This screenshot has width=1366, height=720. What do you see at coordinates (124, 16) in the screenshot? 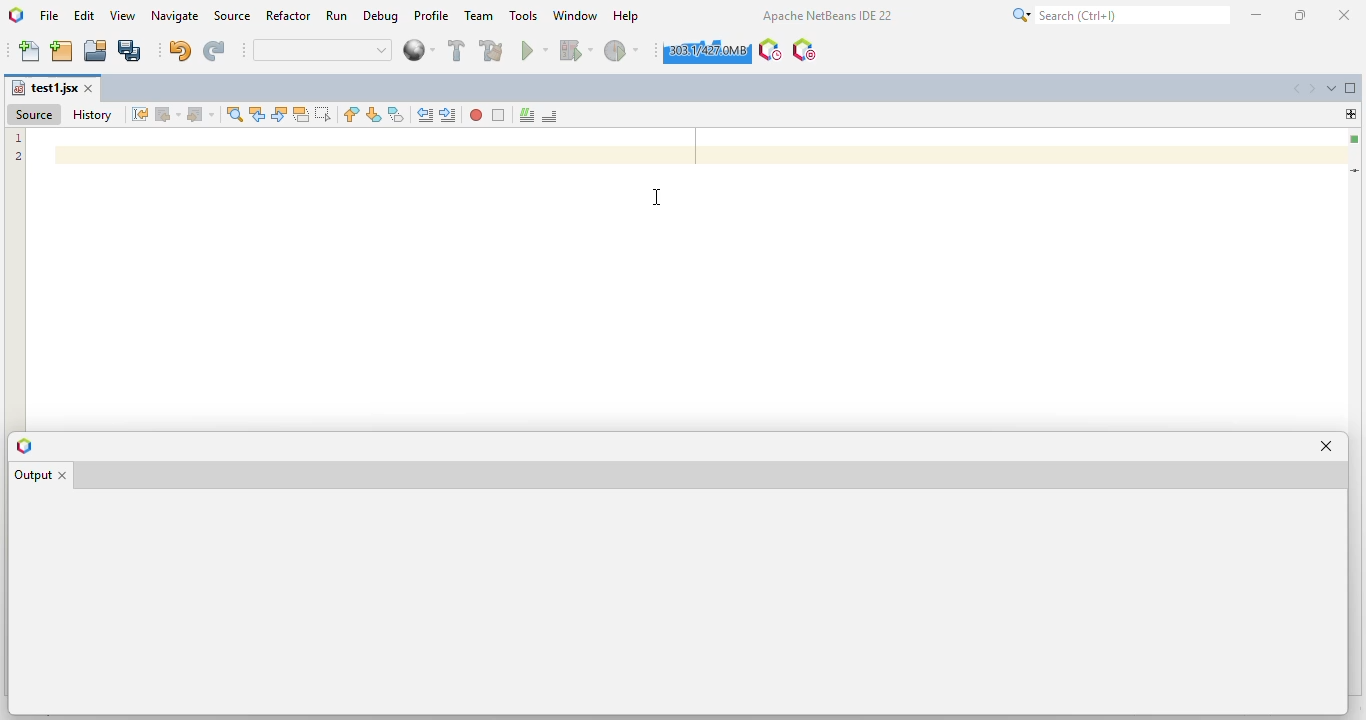
I see `view` at bounding box center [124, 16].